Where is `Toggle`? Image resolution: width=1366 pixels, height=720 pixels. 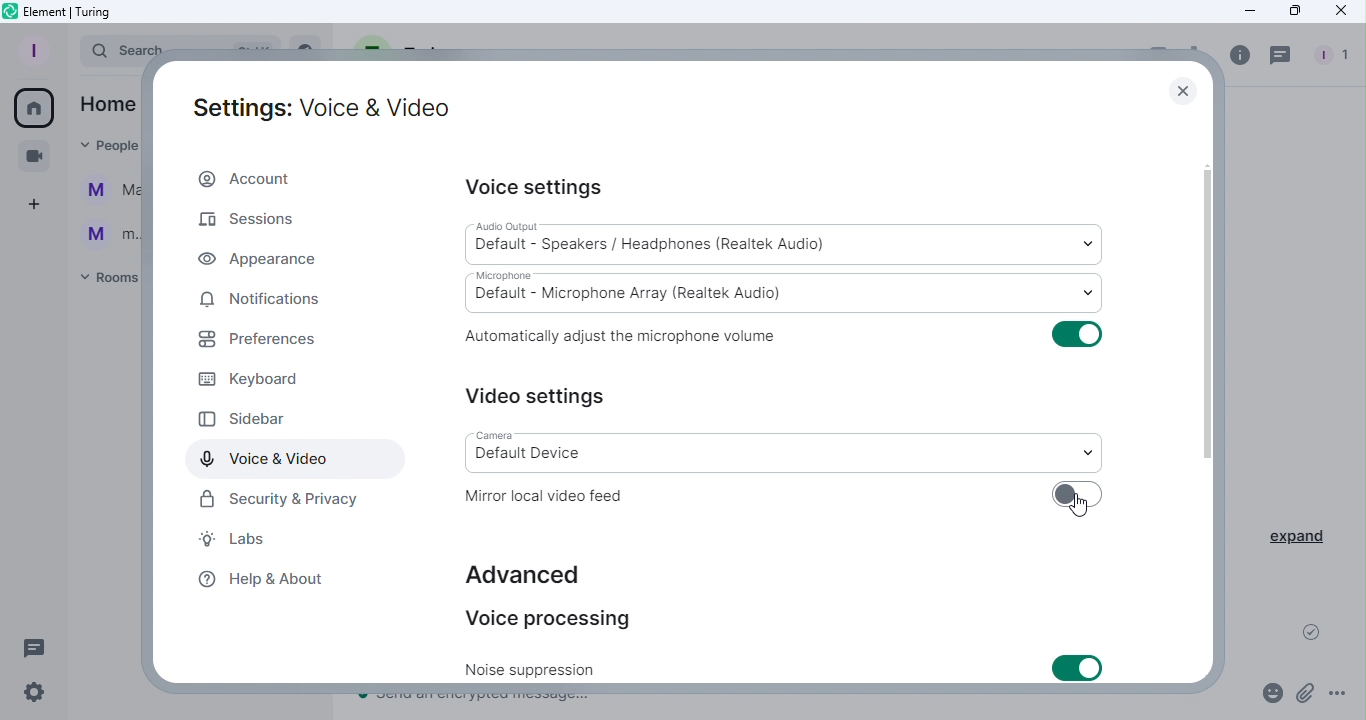
Toggle is located at coordinates (1075, 333).